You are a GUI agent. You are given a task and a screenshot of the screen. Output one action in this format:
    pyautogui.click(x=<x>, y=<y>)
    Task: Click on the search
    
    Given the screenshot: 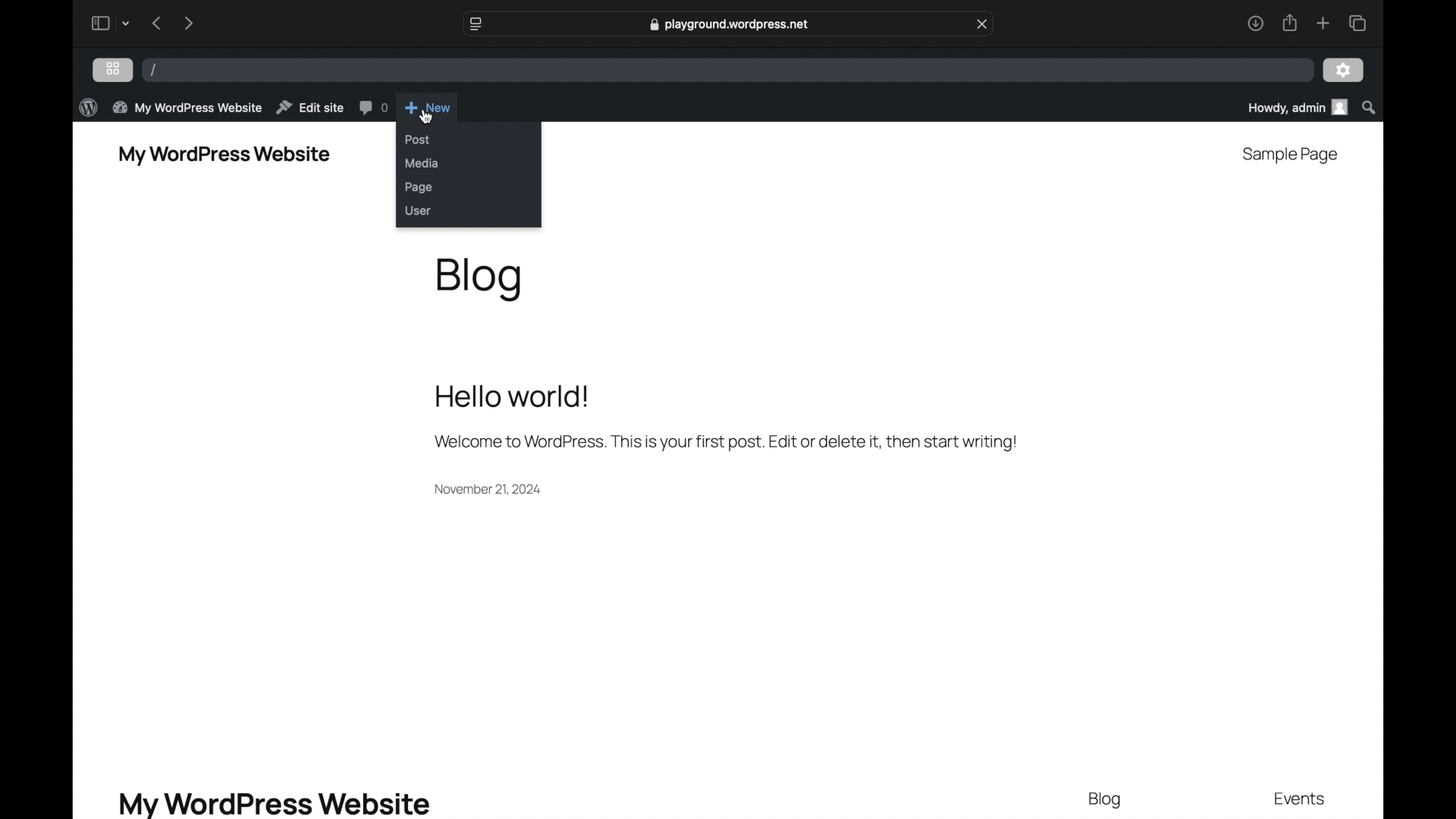 What is the action you would take?
    pyautogui.click(x=1370, y=107)
    